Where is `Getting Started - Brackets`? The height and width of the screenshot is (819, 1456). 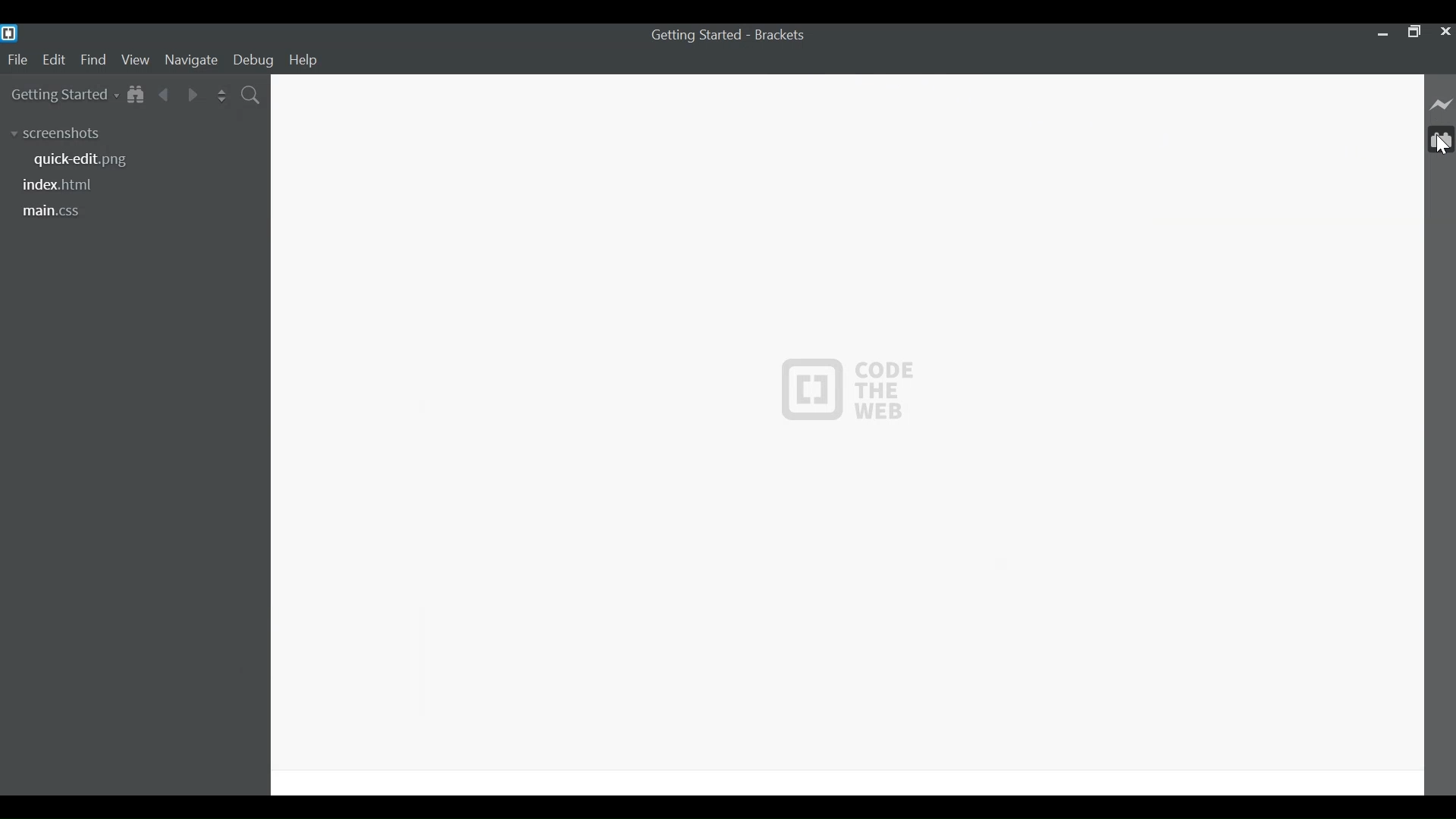
Getting Started - Brackets is located at coordinates (724, 35).